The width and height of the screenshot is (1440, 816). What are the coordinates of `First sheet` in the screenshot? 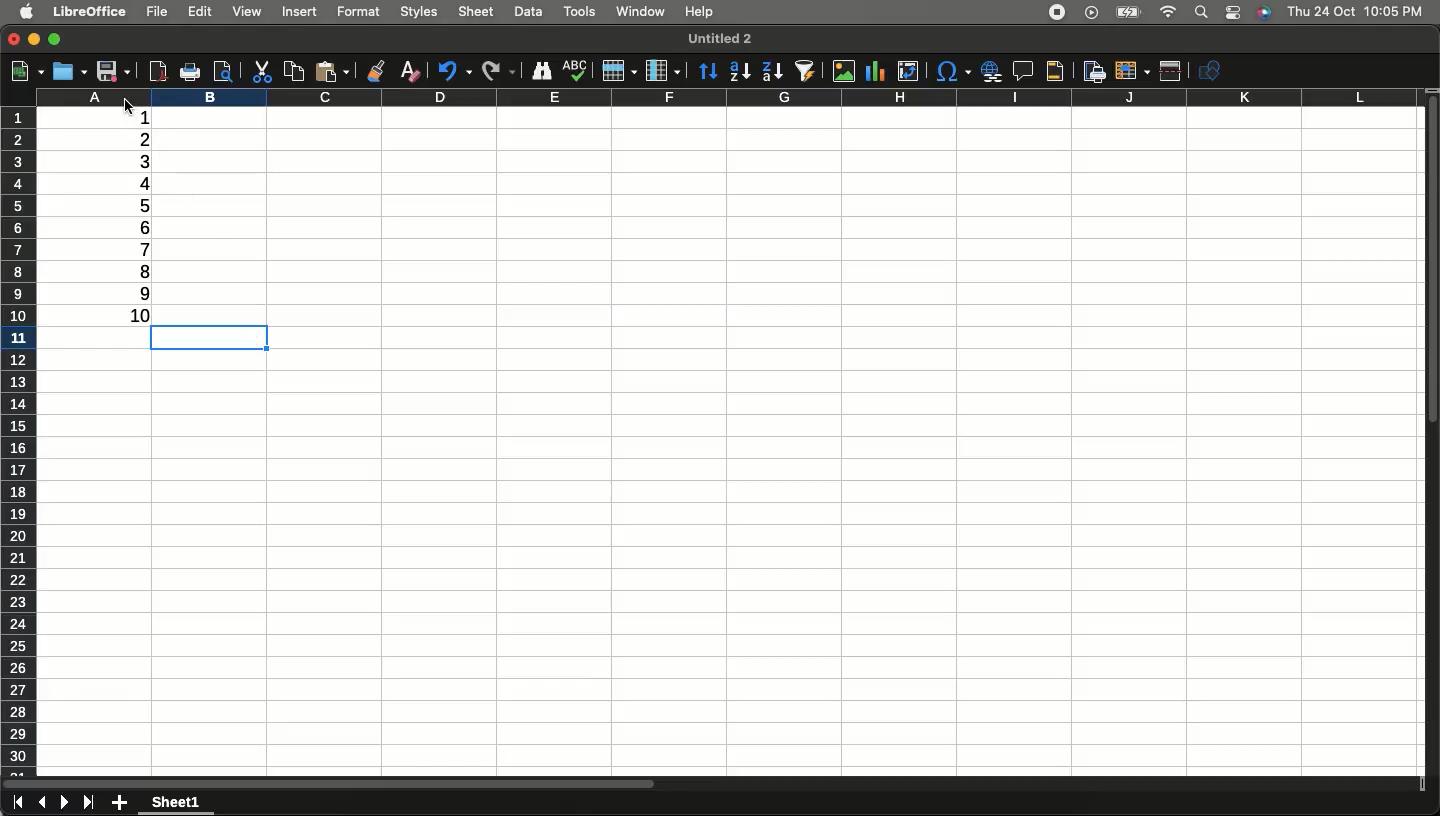 It's located at (16, 804).